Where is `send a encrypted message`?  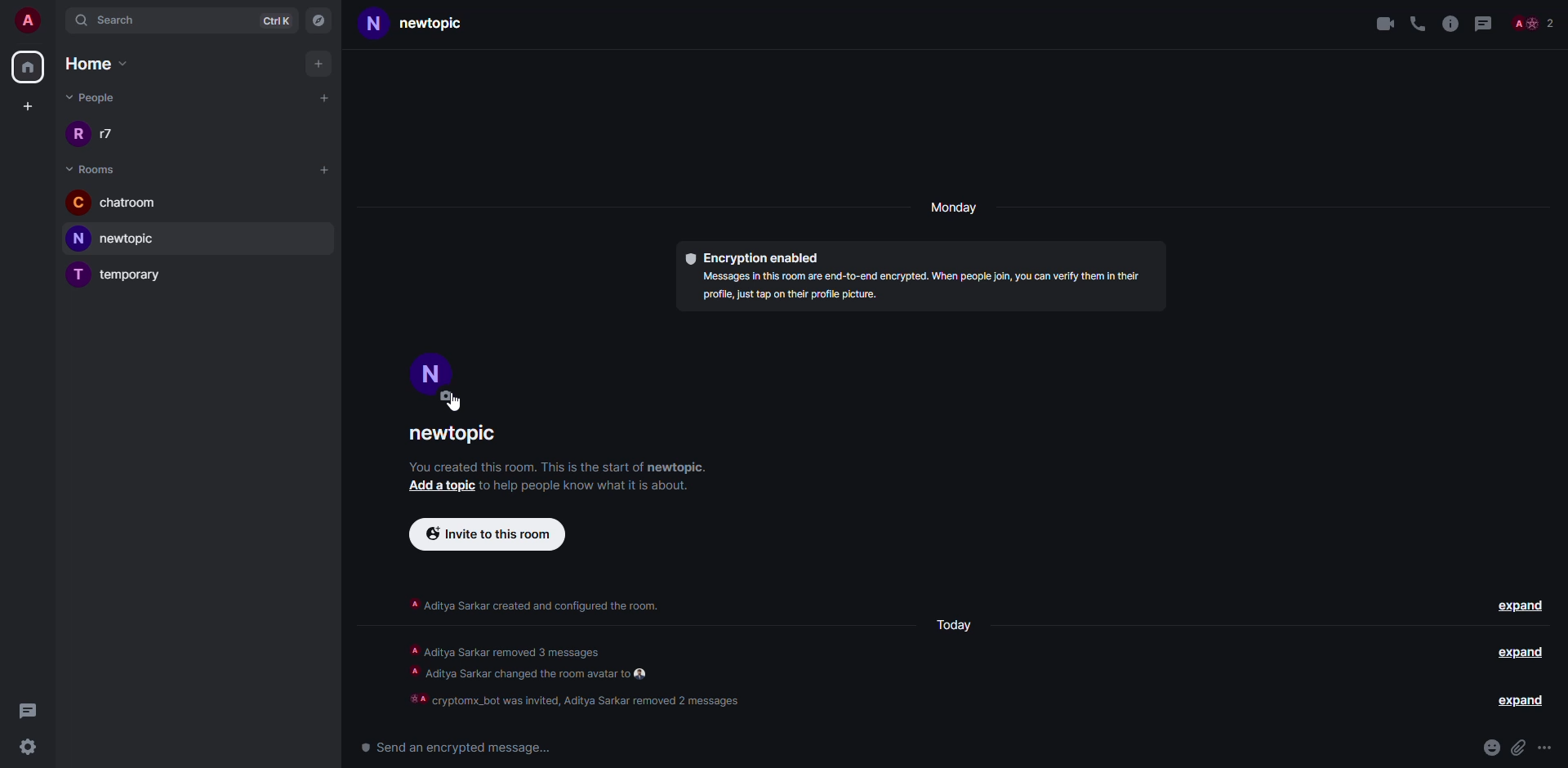
send a encrypted message is located at coordinates (452, 747).